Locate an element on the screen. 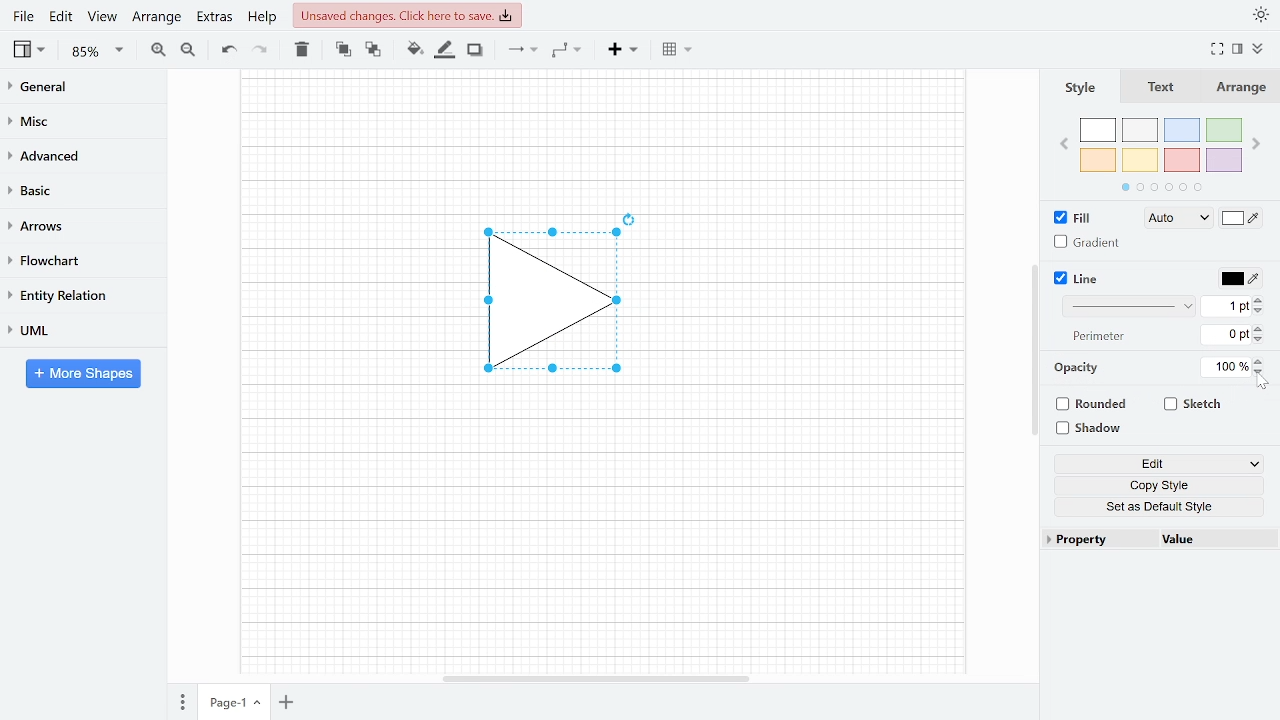  Arrows is located at coordinates (74, 225).